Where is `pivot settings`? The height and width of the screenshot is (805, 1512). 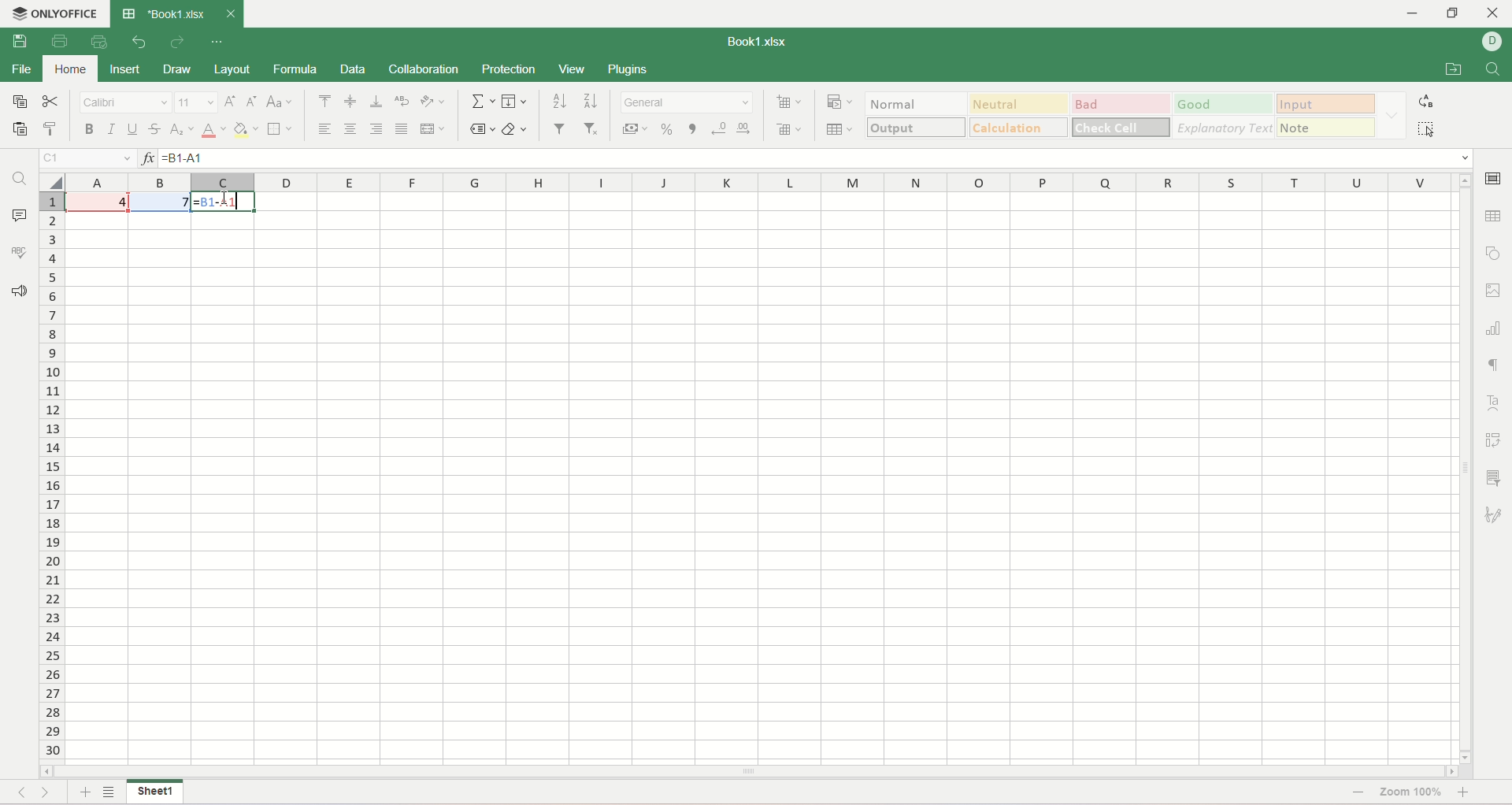
pivot settings is located at coordinates (1497, 440).